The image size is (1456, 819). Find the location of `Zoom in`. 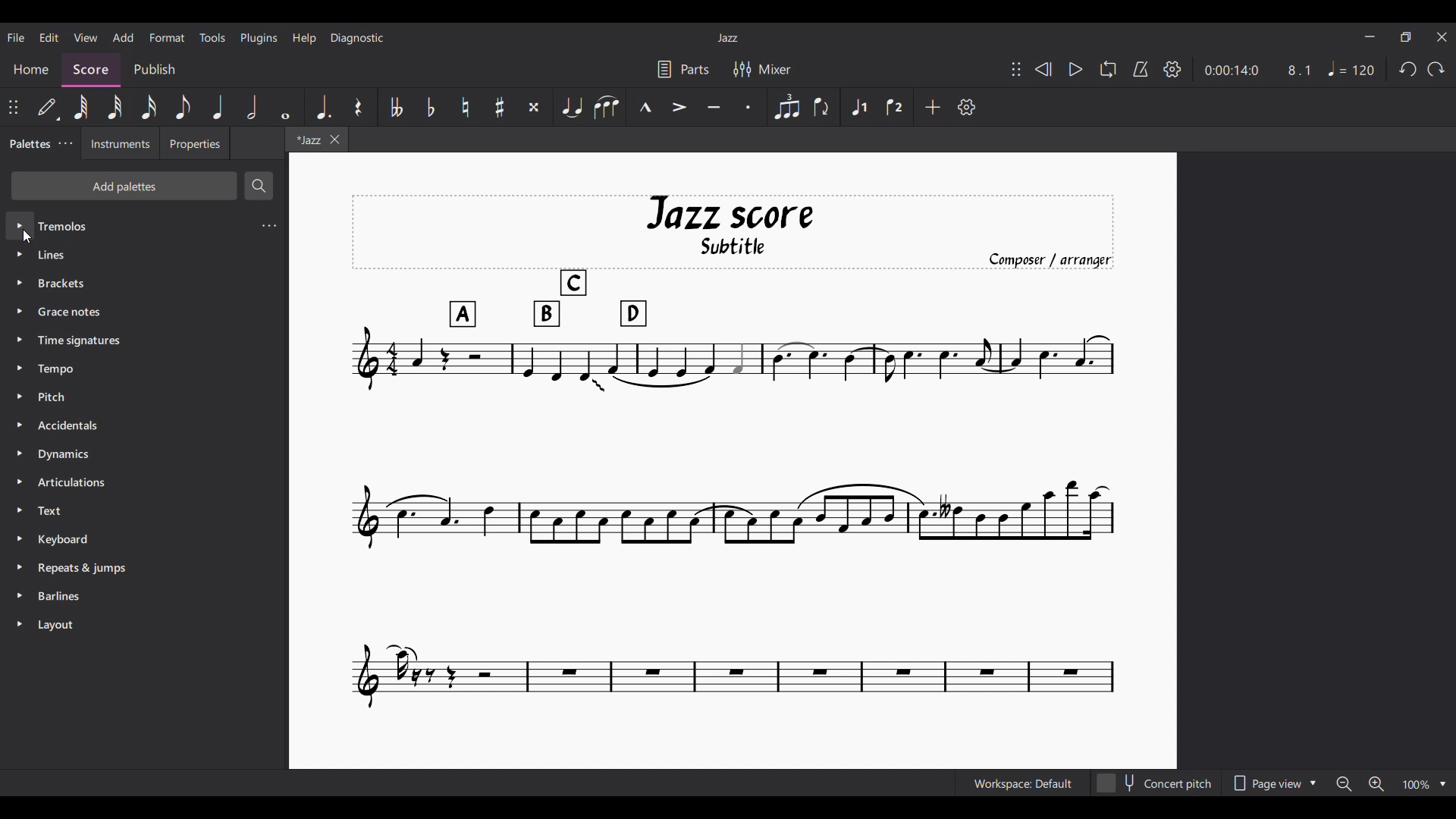

Zoom in is located at coordinates (1376, 783).